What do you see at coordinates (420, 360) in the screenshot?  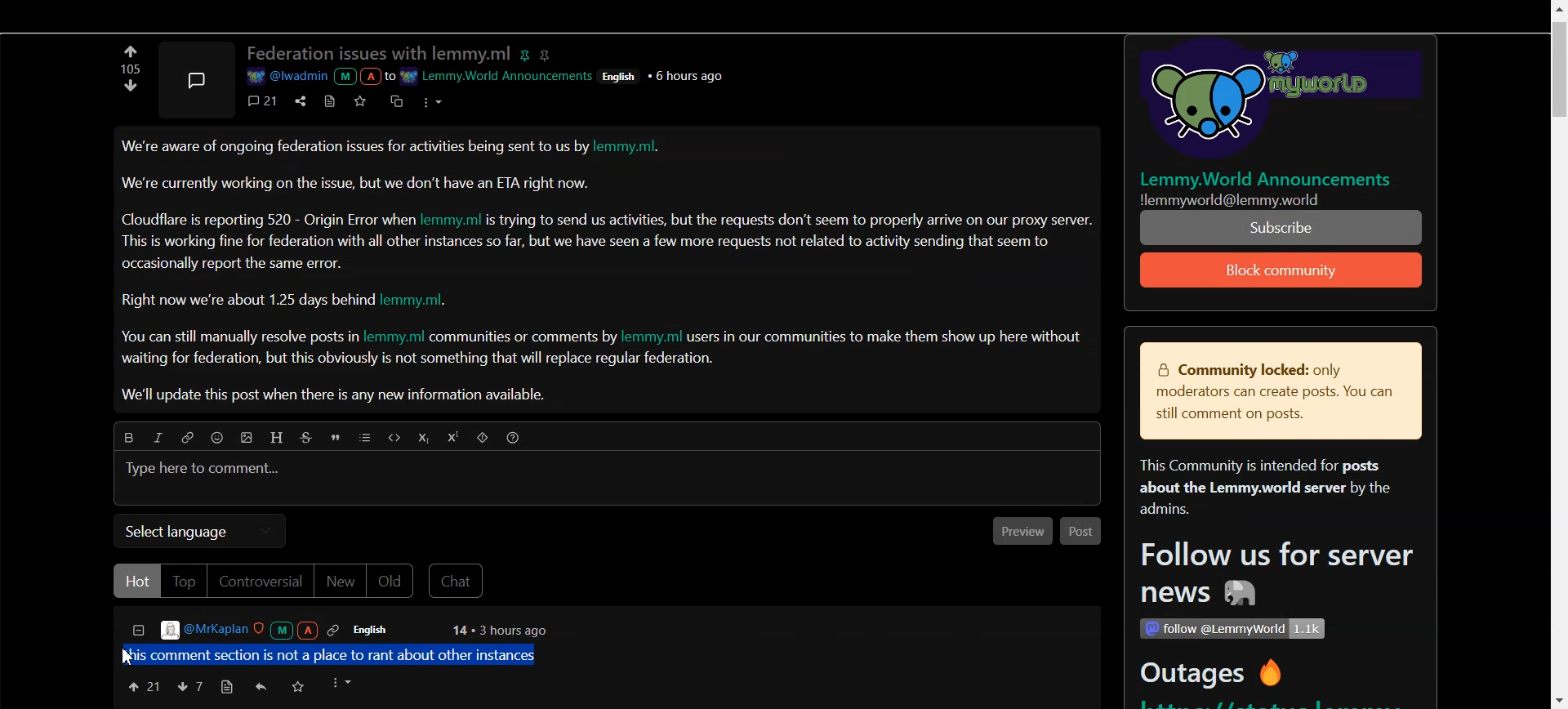 I see `waiting for federation, but this obviously is not something that will replace regular federation.` at bounding box center [420, 360].